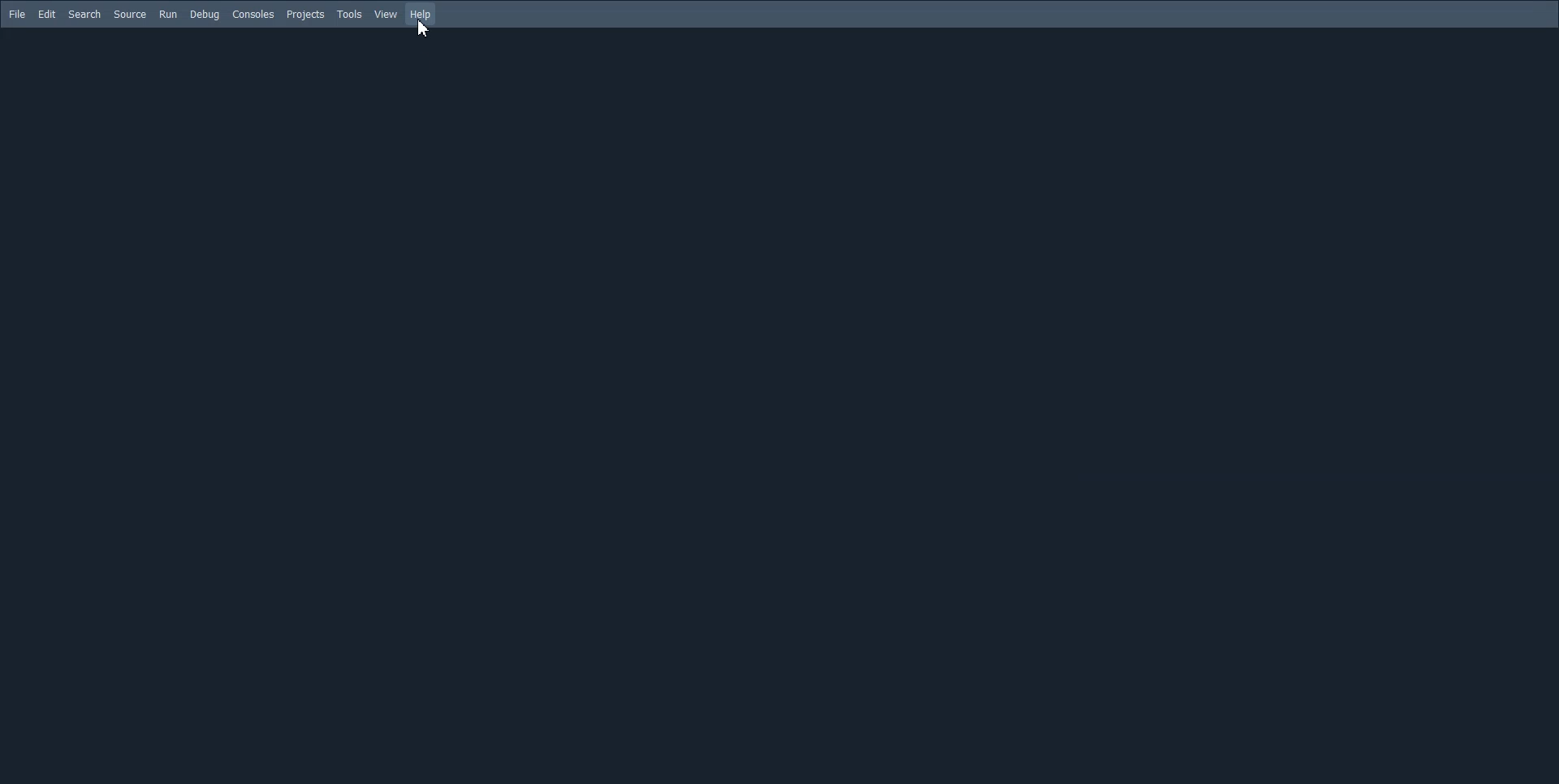  Describe the element at coordinates (425, 30) in the screenshot. I see `cursor` at that location.